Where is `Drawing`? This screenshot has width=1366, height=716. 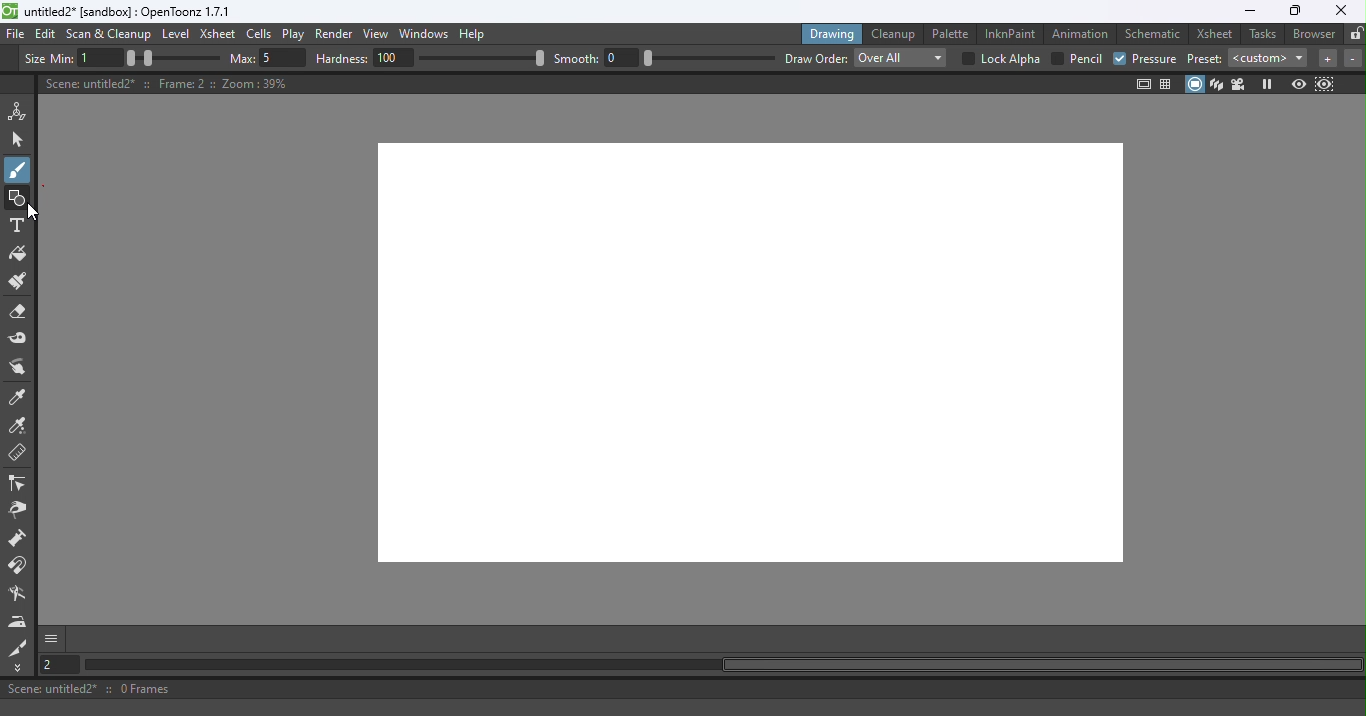 Drawing is located at coordinates (834, 33).